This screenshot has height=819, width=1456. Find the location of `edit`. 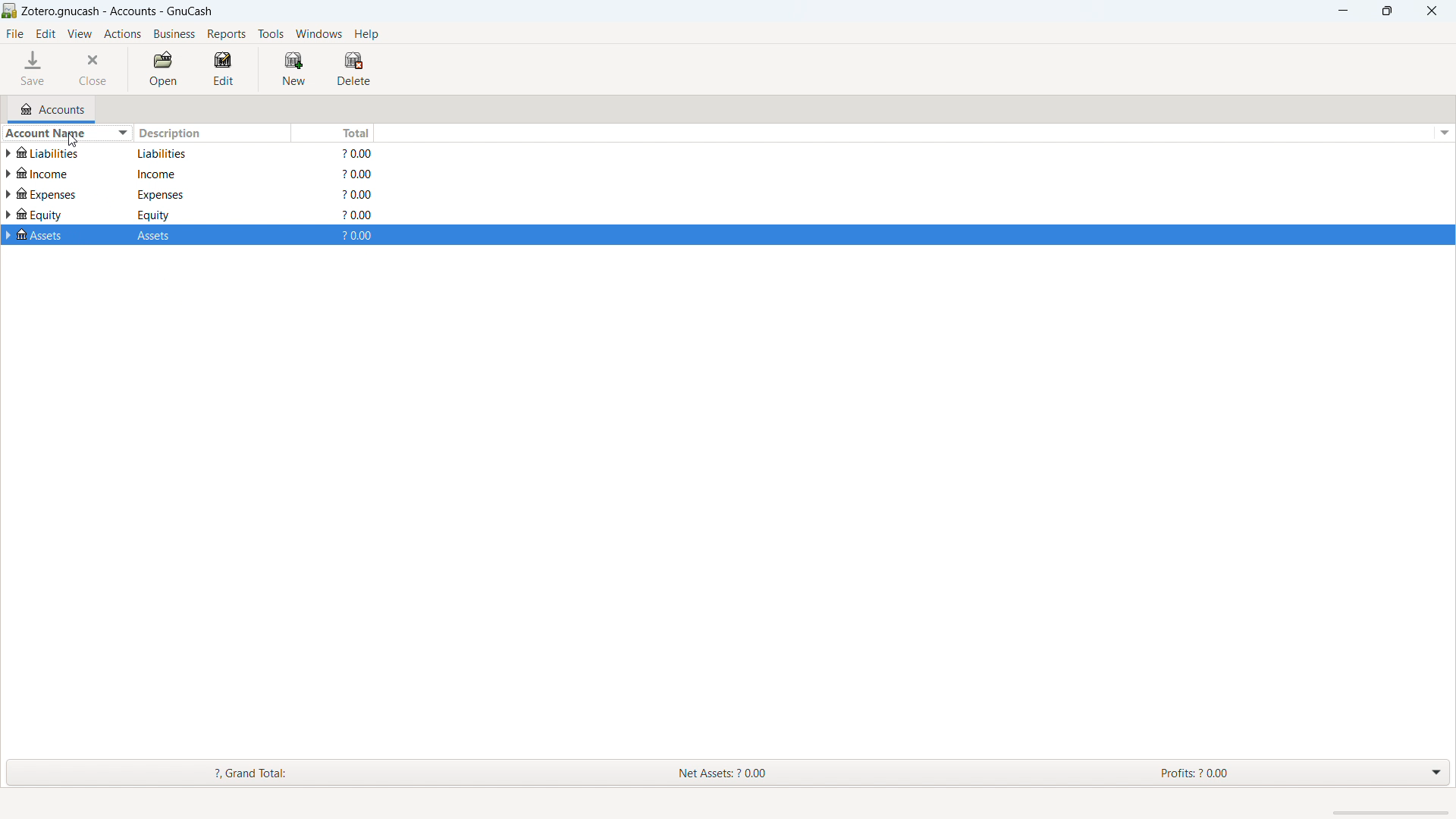

edit is located at coordinates (46, 35).